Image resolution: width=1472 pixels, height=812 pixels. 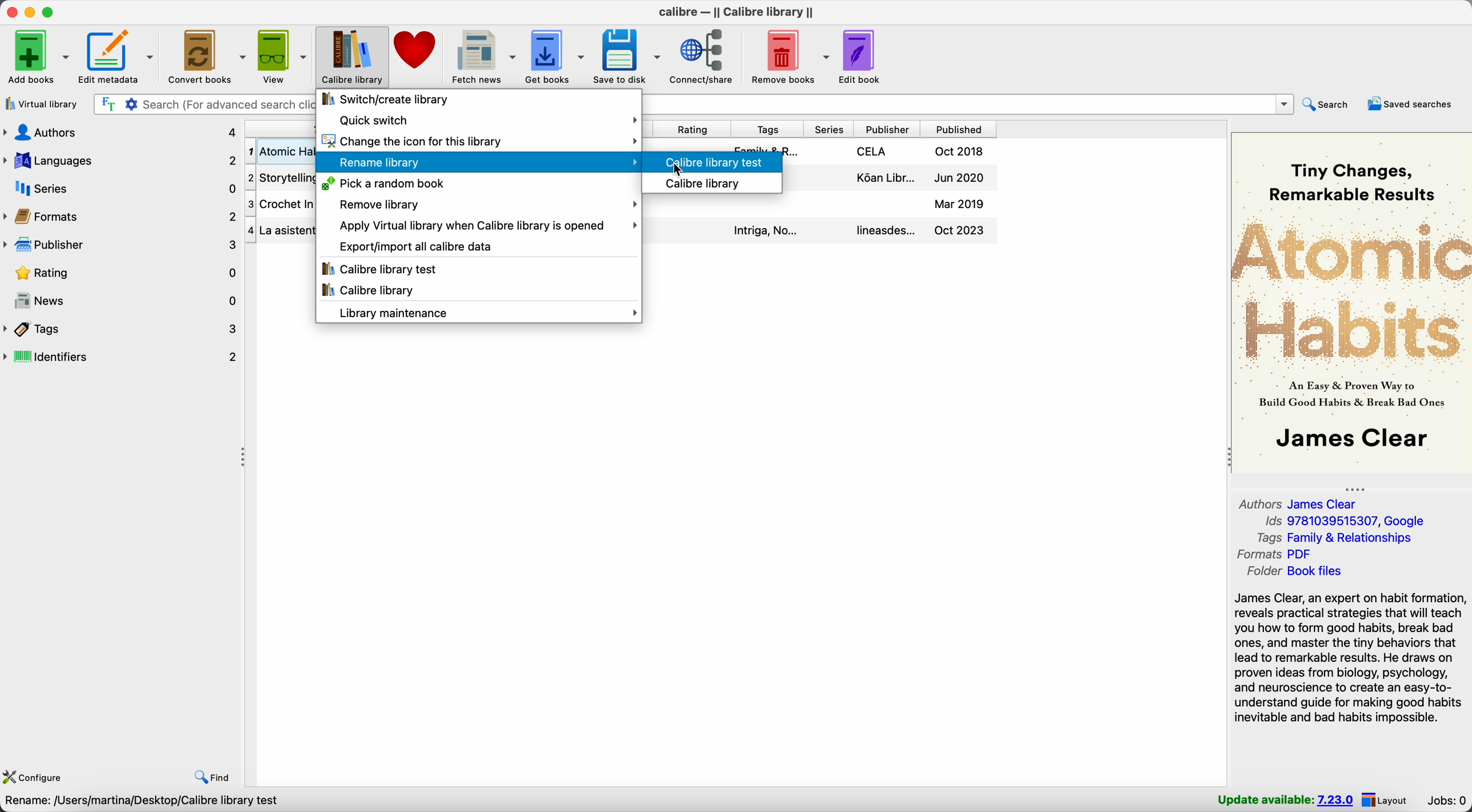 I want to click on add books, so click(x=39, y=57).